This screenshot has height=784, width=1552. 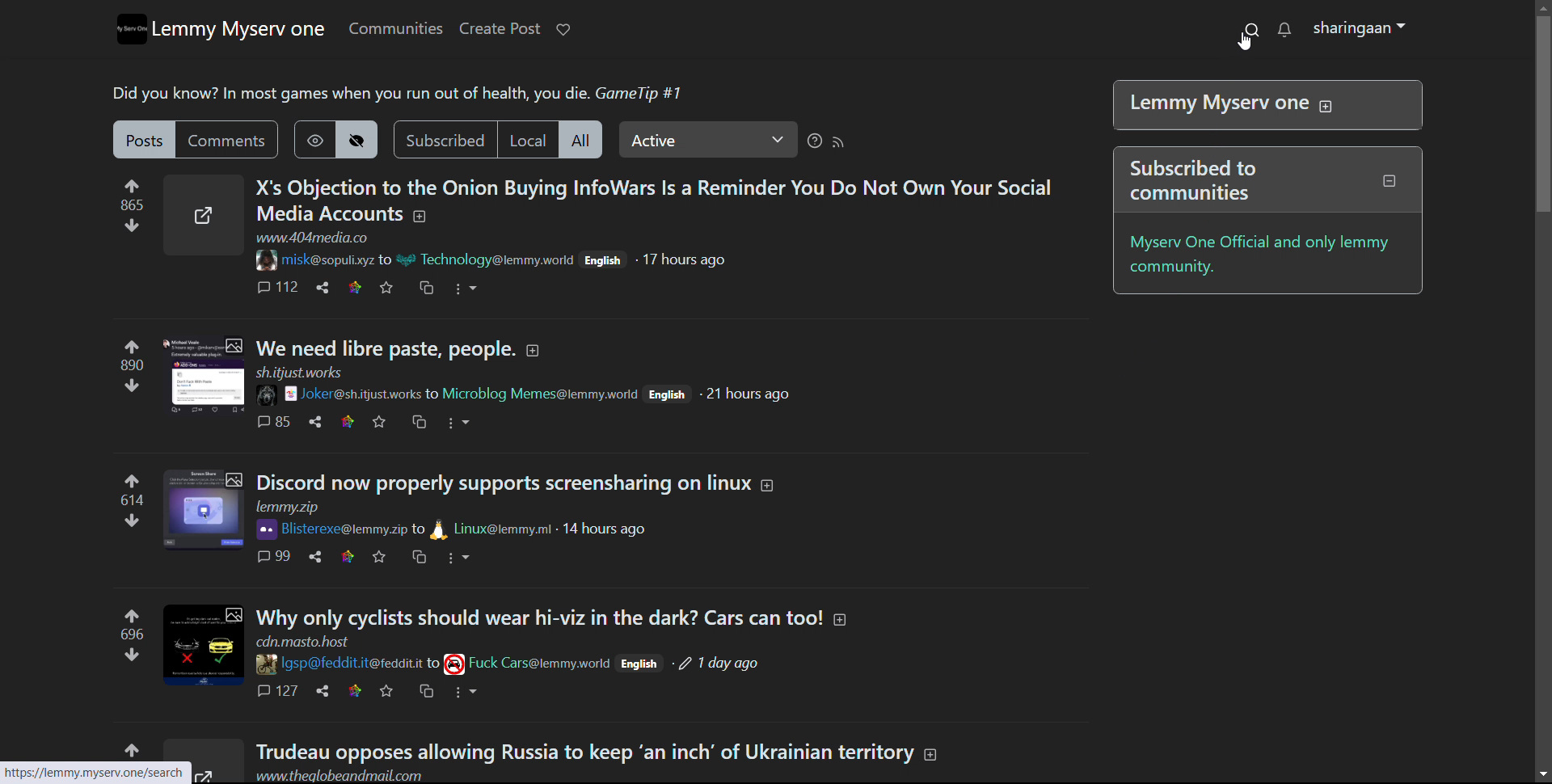 What do you see at coordinates (348, 422) in the screenshot?
I see `link` at bounding box center [348, 422].